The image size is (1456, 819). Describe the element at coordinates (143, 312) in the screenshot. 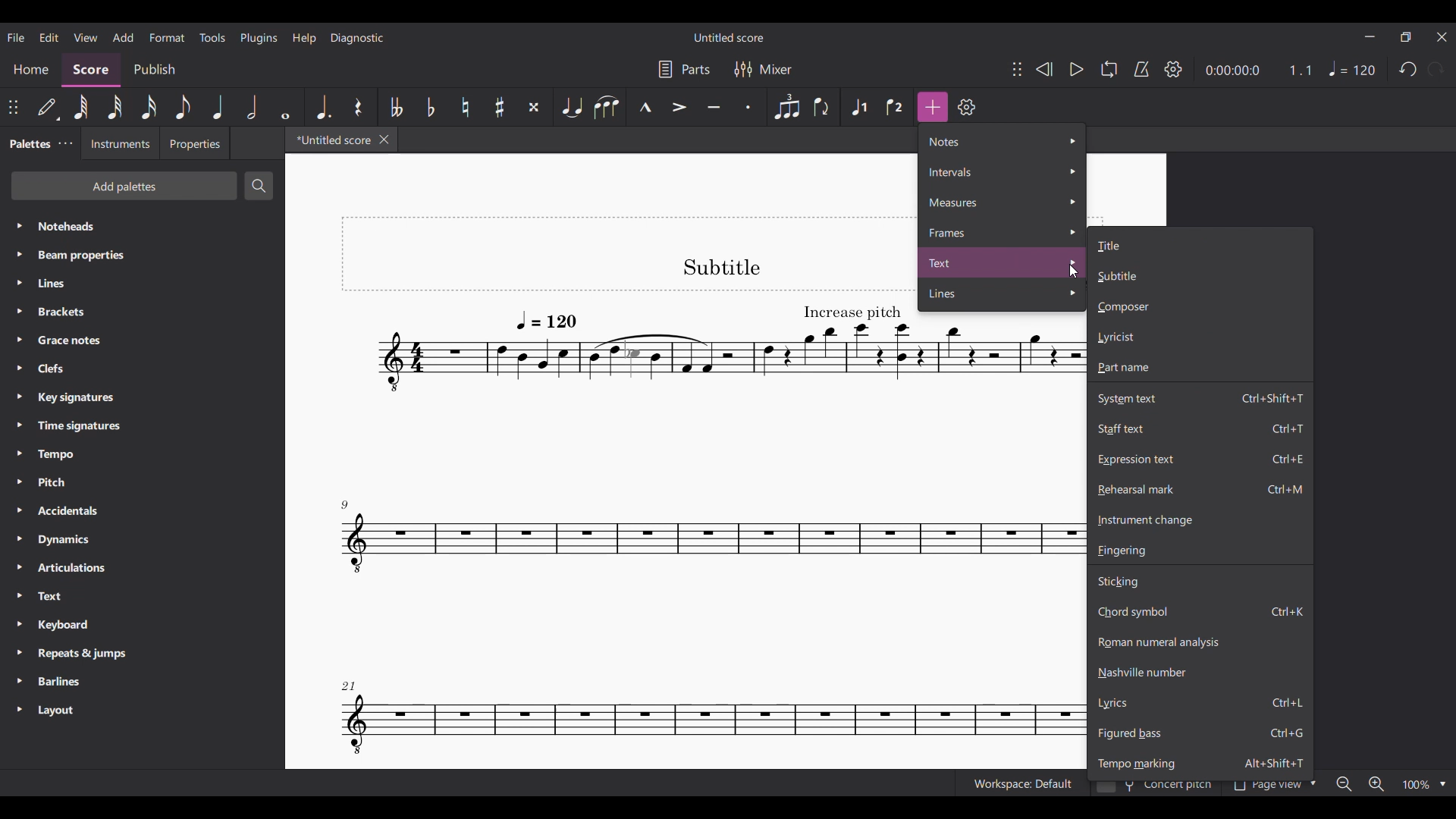

I see `Brackets` at that location.